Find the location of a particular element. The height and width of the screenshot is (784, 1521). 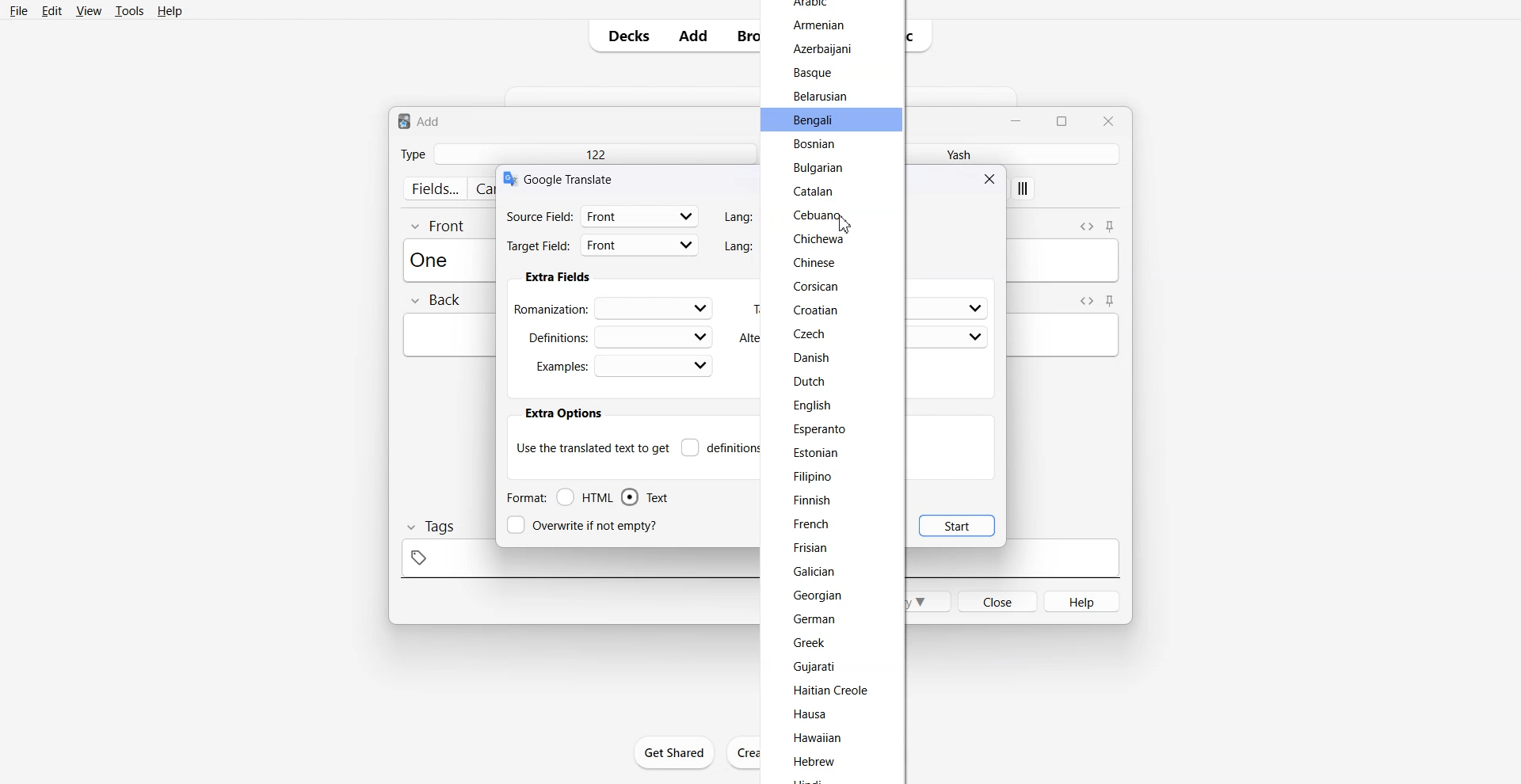

Edit is located at coordinates (51, 10).